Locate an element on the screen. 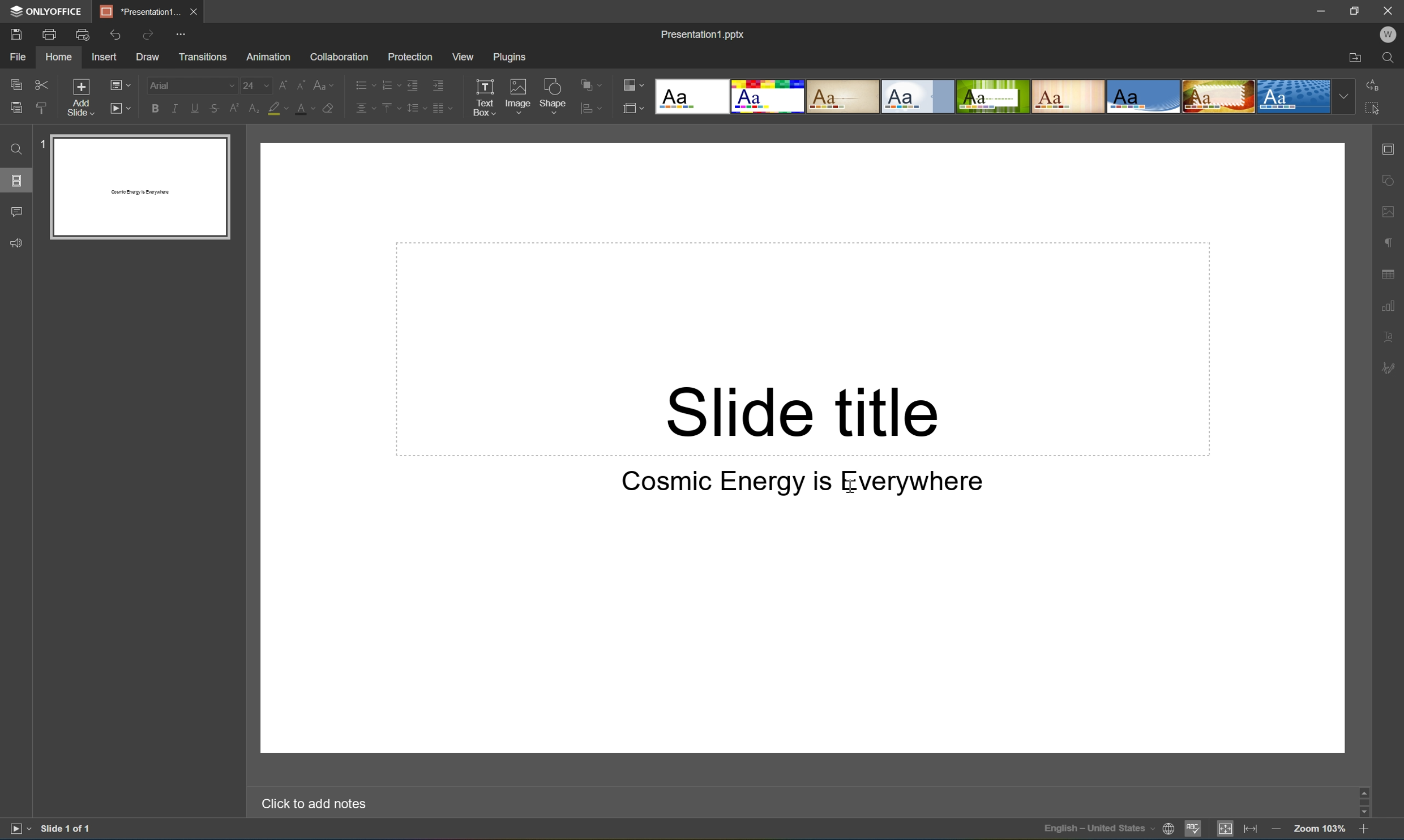 Image resolution: width=1404 pixels, height=840 pixels. Increase indent is located at coordinates (442, 84).